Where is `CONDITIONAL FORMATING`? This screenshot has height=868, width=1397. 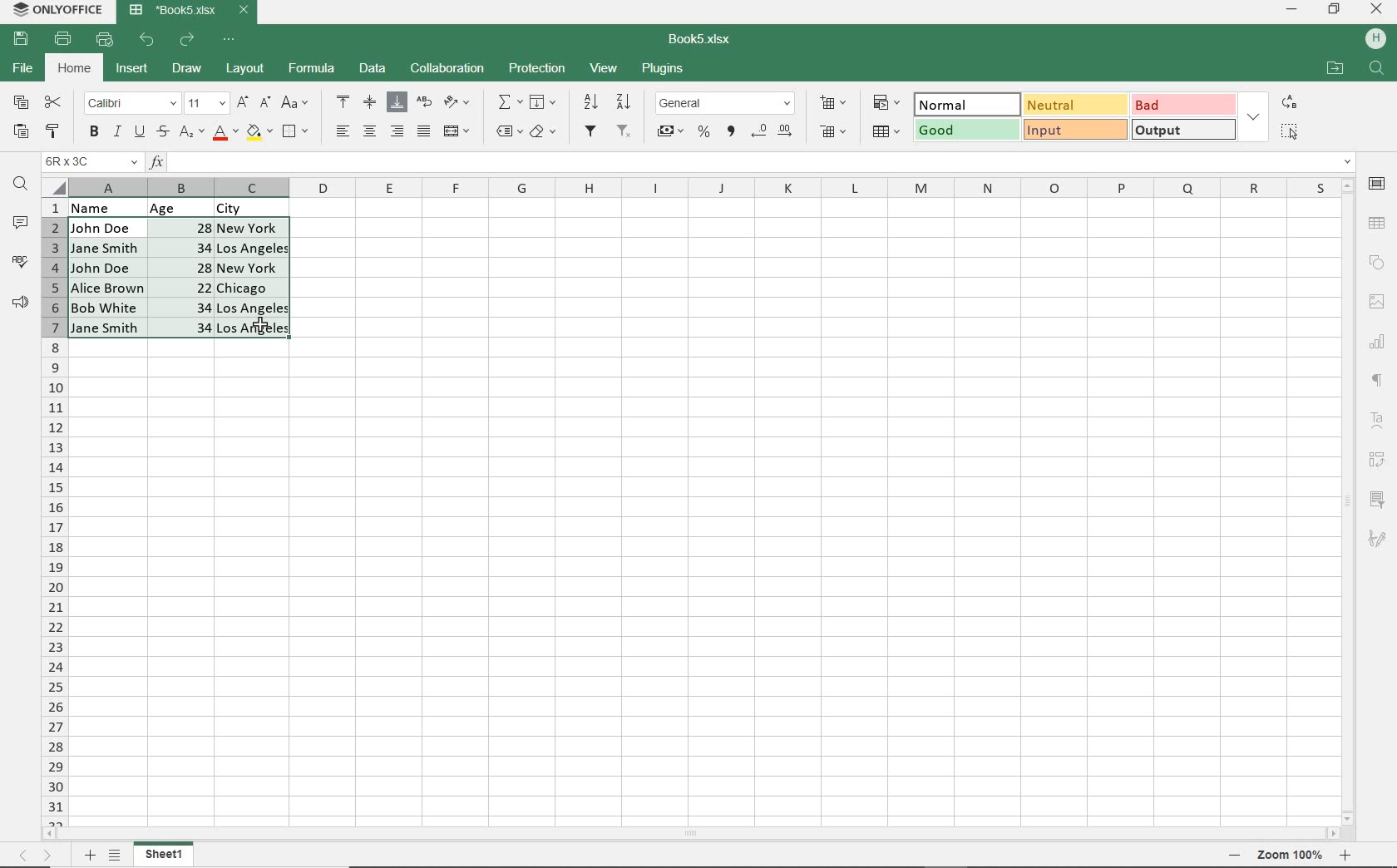
CONDITIONAL FORMATING is located at coordinates (886, 102).